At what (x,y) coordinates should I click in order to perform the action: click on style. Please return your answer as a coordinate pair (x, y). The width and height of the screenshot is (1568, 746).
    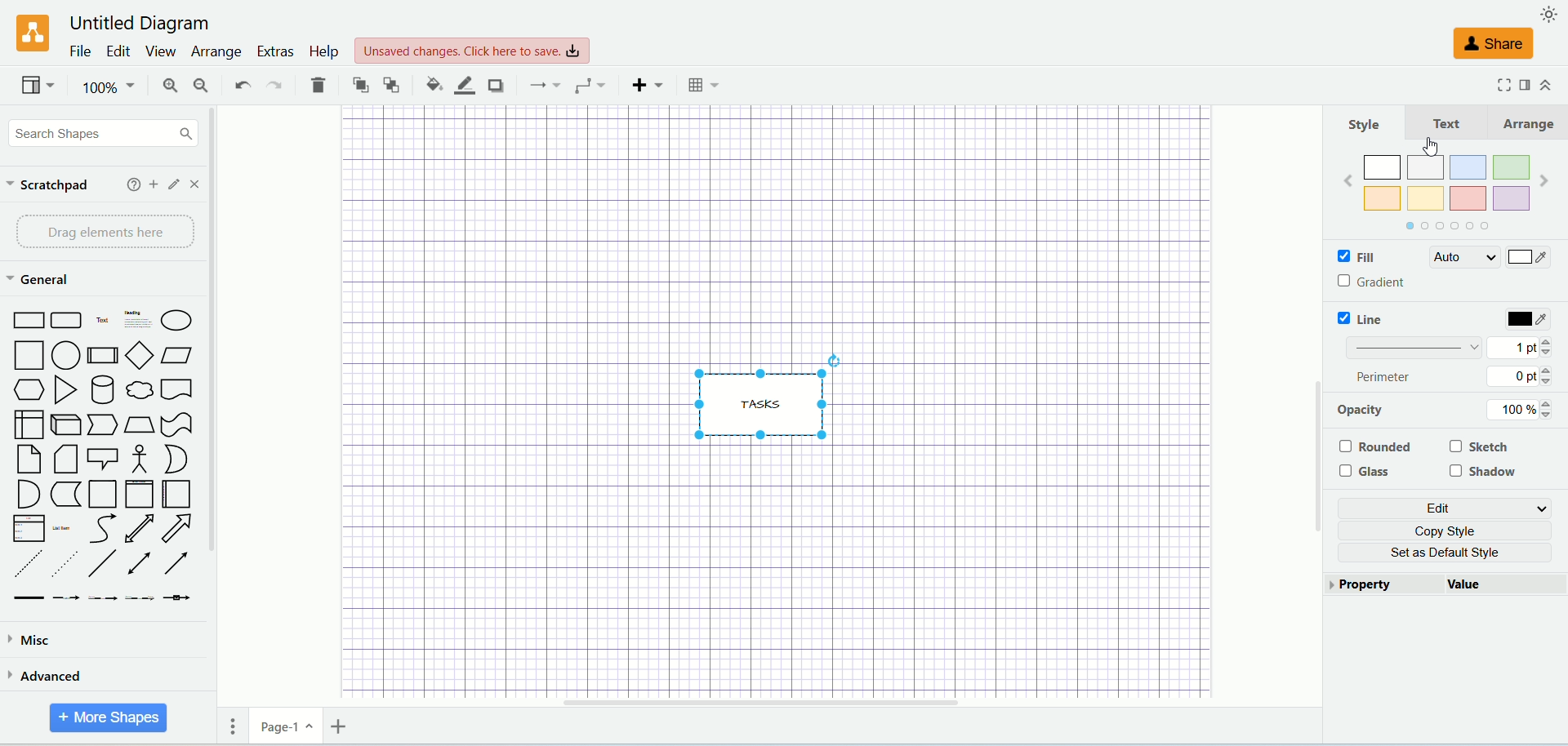
    Looking at the image, I should click on (1369, 123).